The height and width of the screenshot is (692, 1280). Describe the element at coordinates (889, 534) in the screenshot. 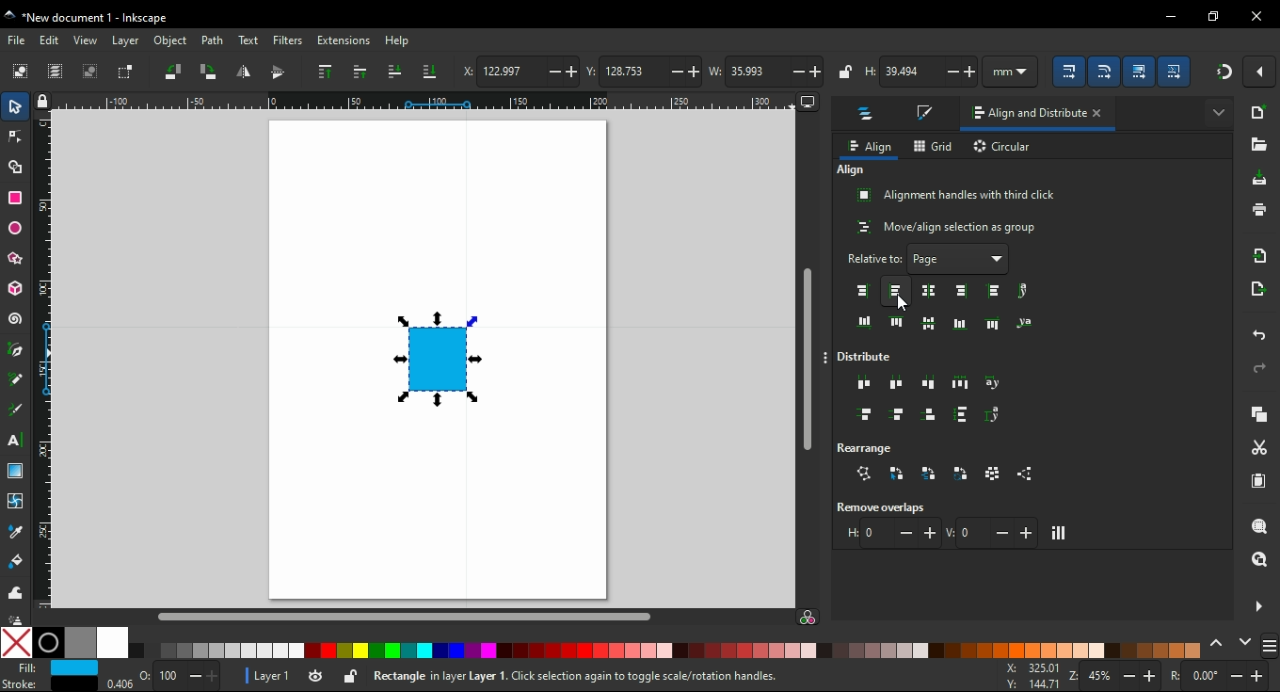

I see `horizontal` at that location.